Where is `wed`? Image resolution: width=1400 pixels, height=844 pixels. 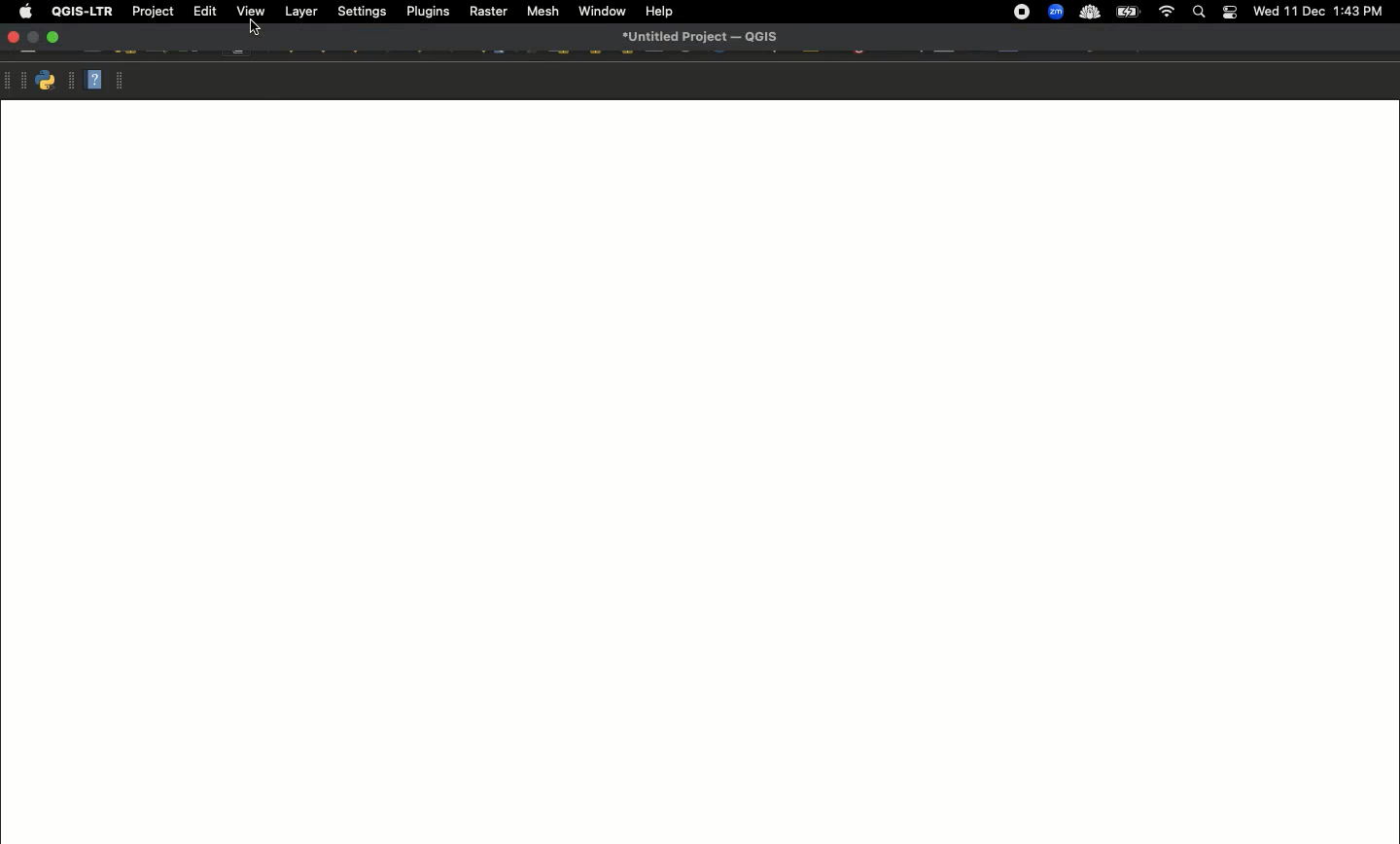 wed is located at coordinates (1264, 13).